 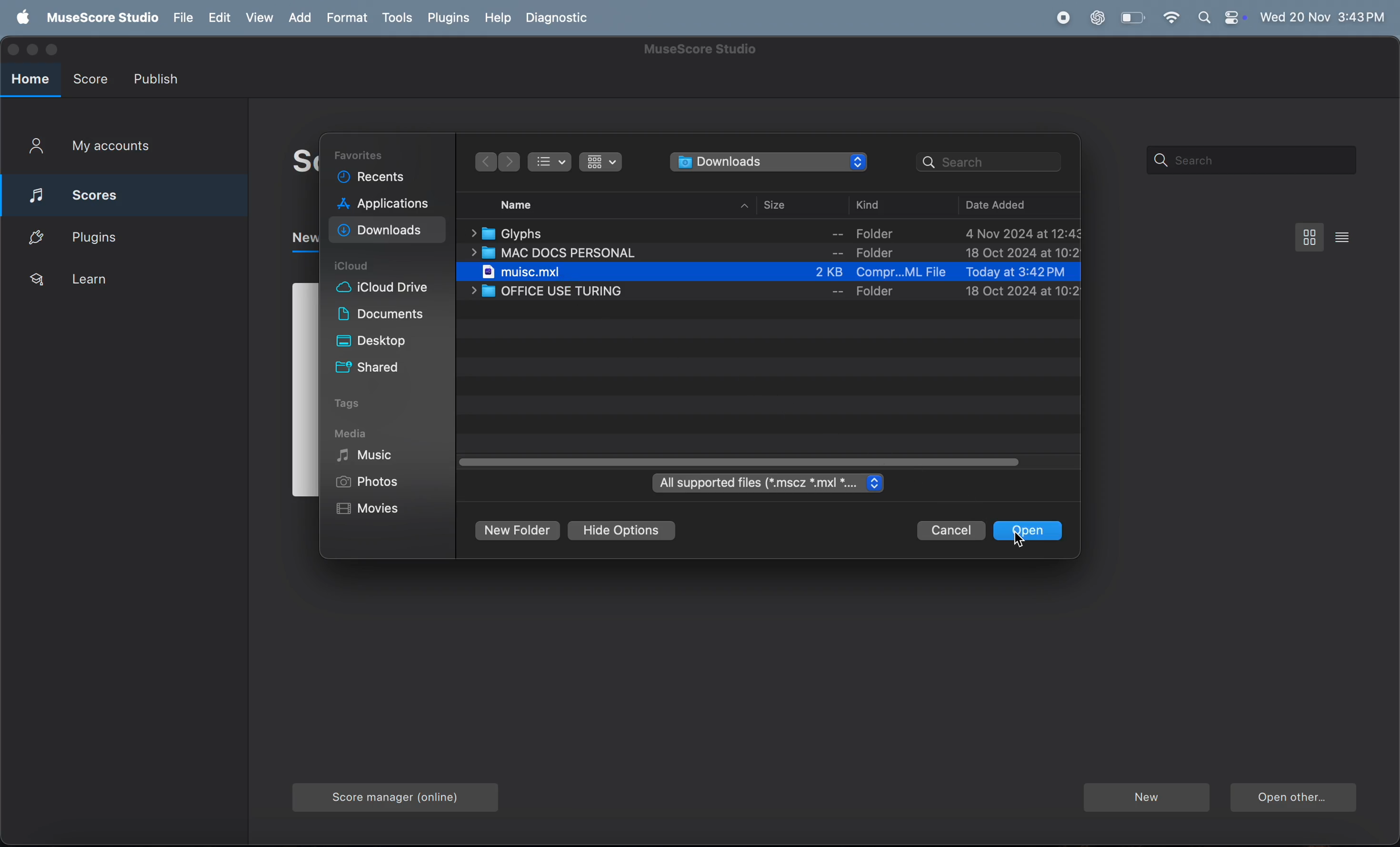 What do you see at coordinates (774, 232) in the screenshot?
I see `Glyphs` at bounding box center [774, 232].